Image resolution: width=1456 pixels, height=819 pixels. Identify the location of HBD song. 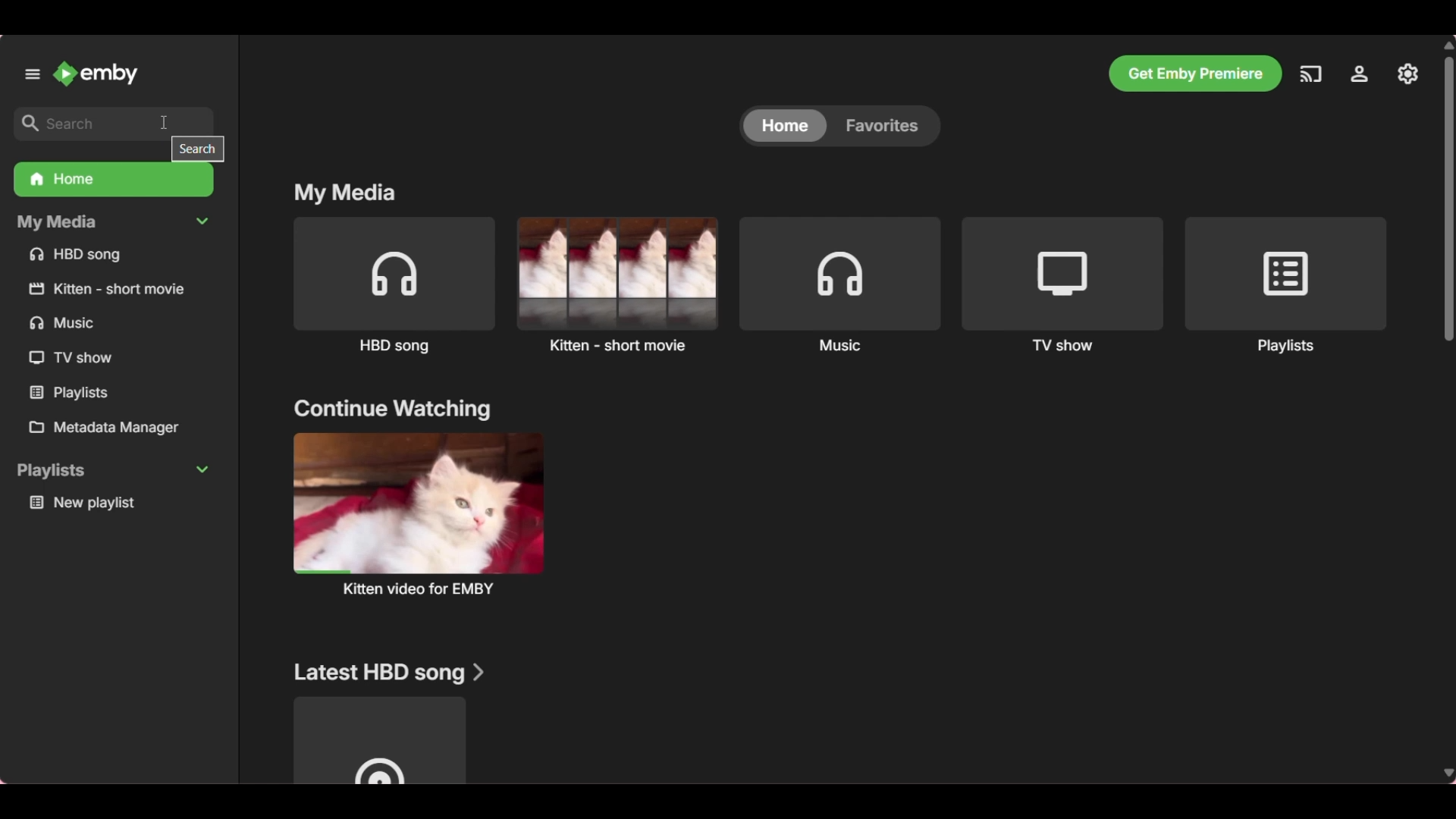
(394, 287).